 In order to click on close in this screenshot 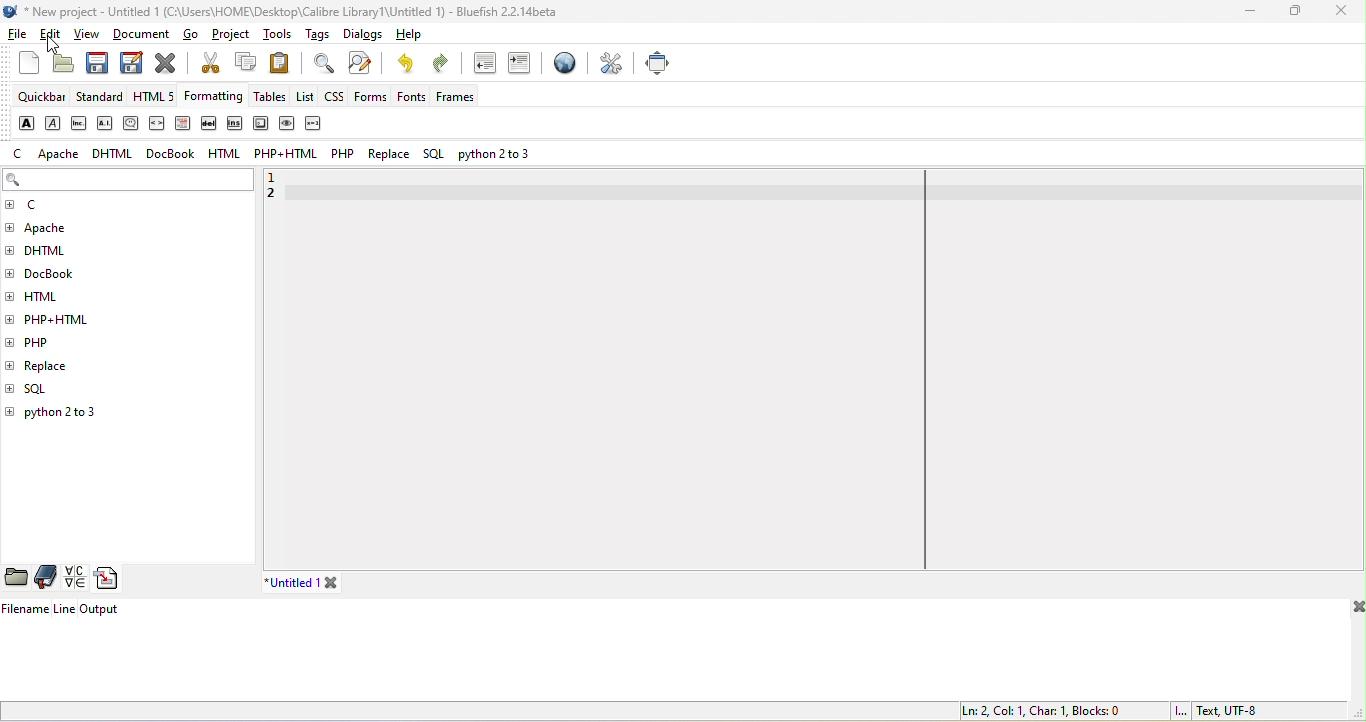, I will do `click(166, 62)`.